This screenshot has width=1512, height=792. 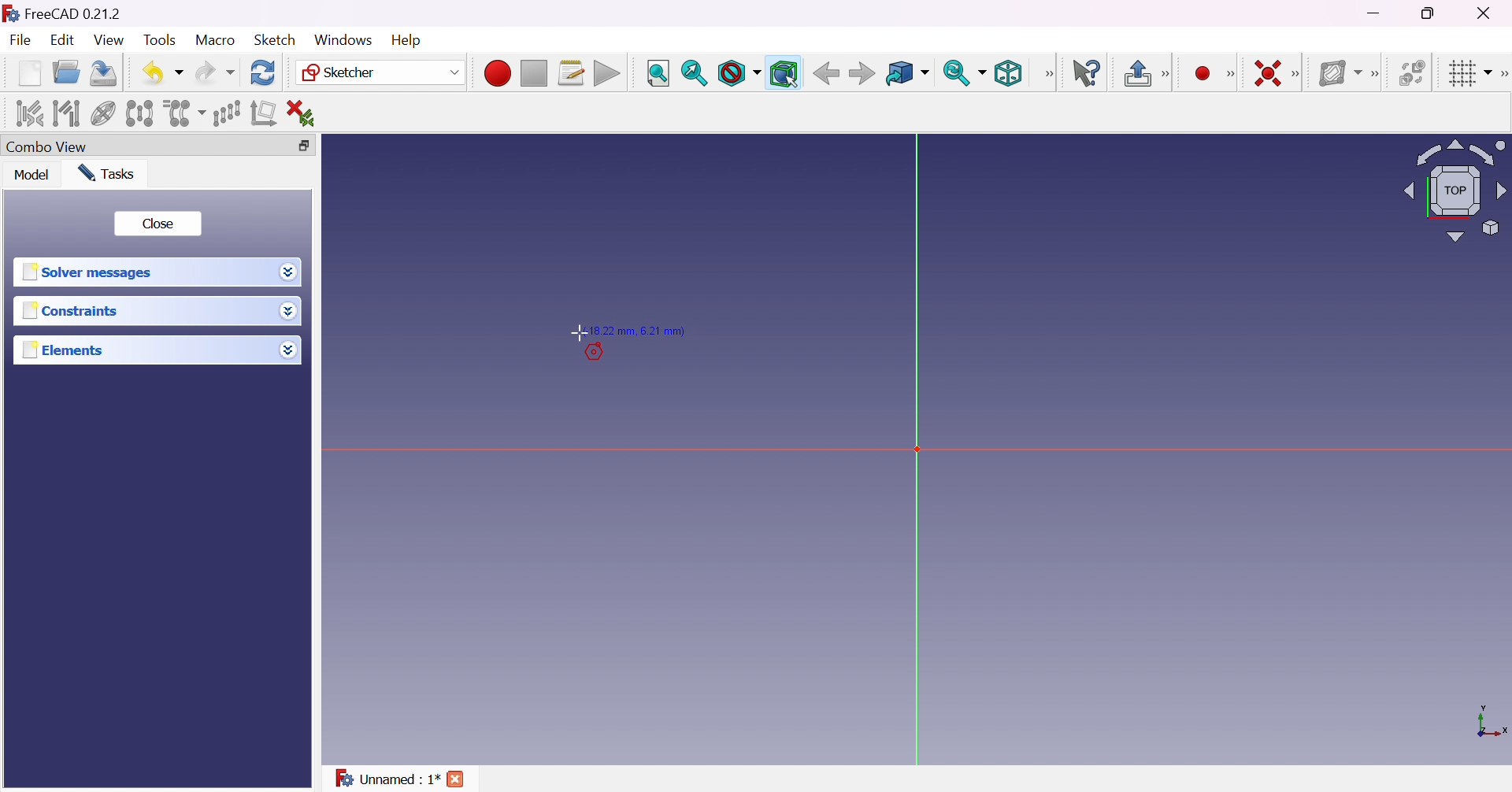 What do you see at coordinates (109, 174) in the screenshot?
I see `Tasks` at bounding box center [109, 174].